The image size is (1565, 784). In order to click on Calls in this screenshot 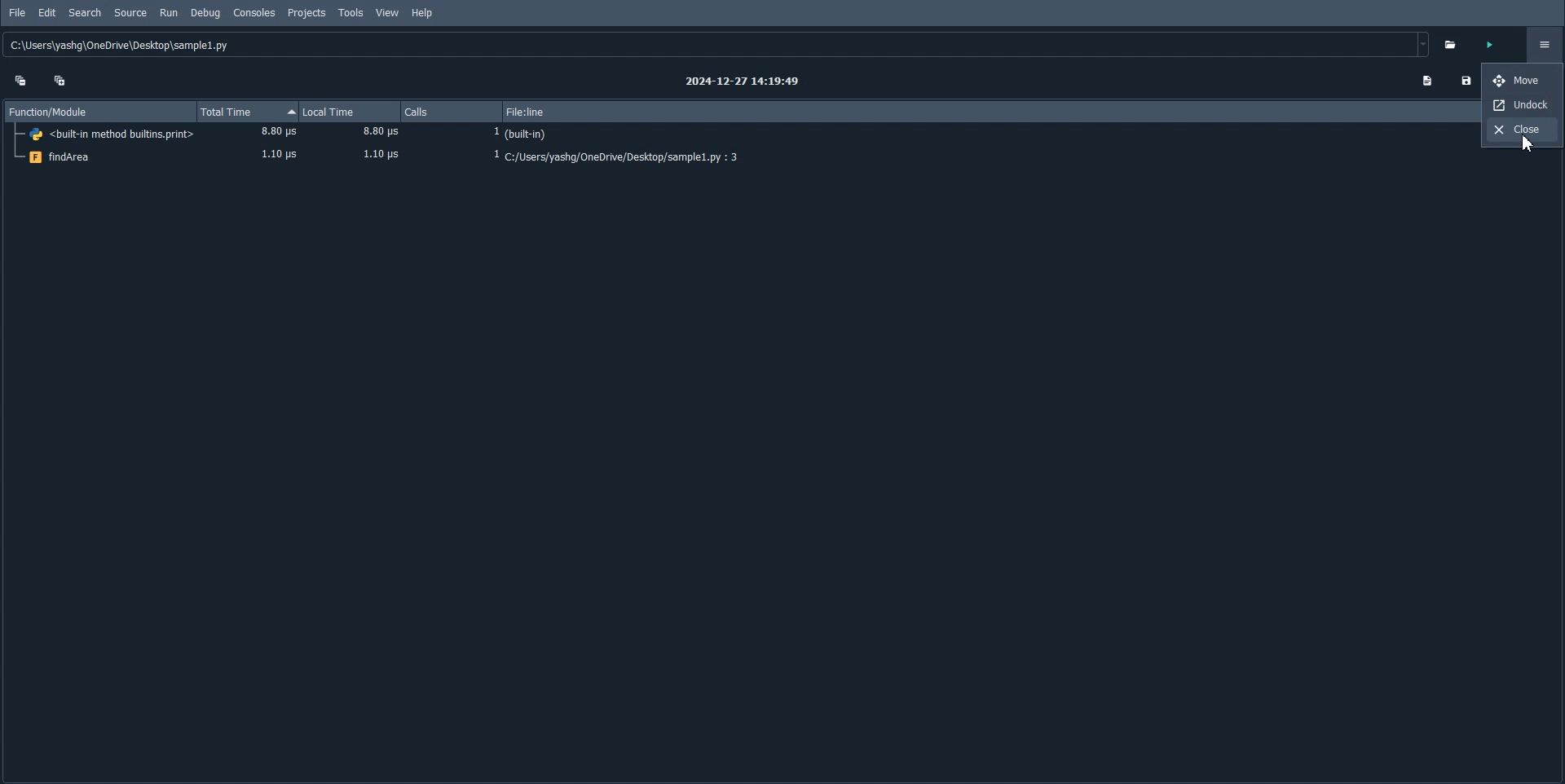, I will do `click(453, 112)`.